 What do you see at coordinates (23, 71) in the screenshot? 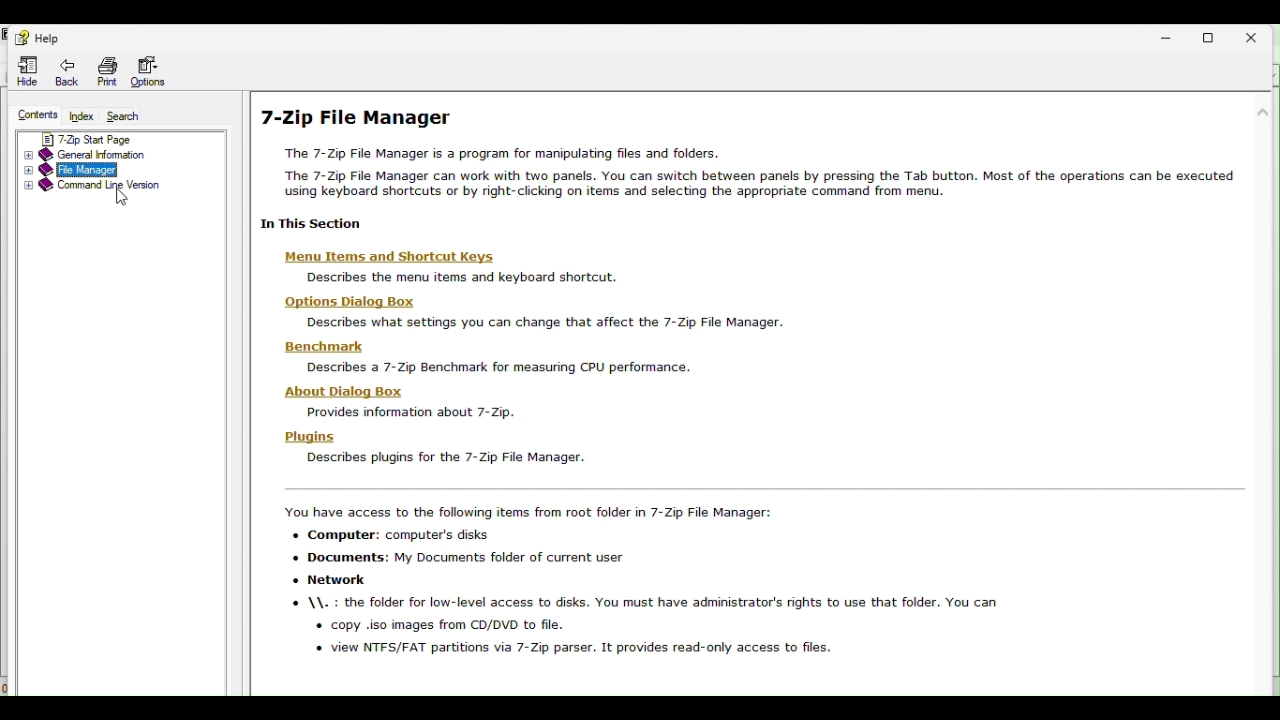
I see `Hide` at bounding box center [23, 71].